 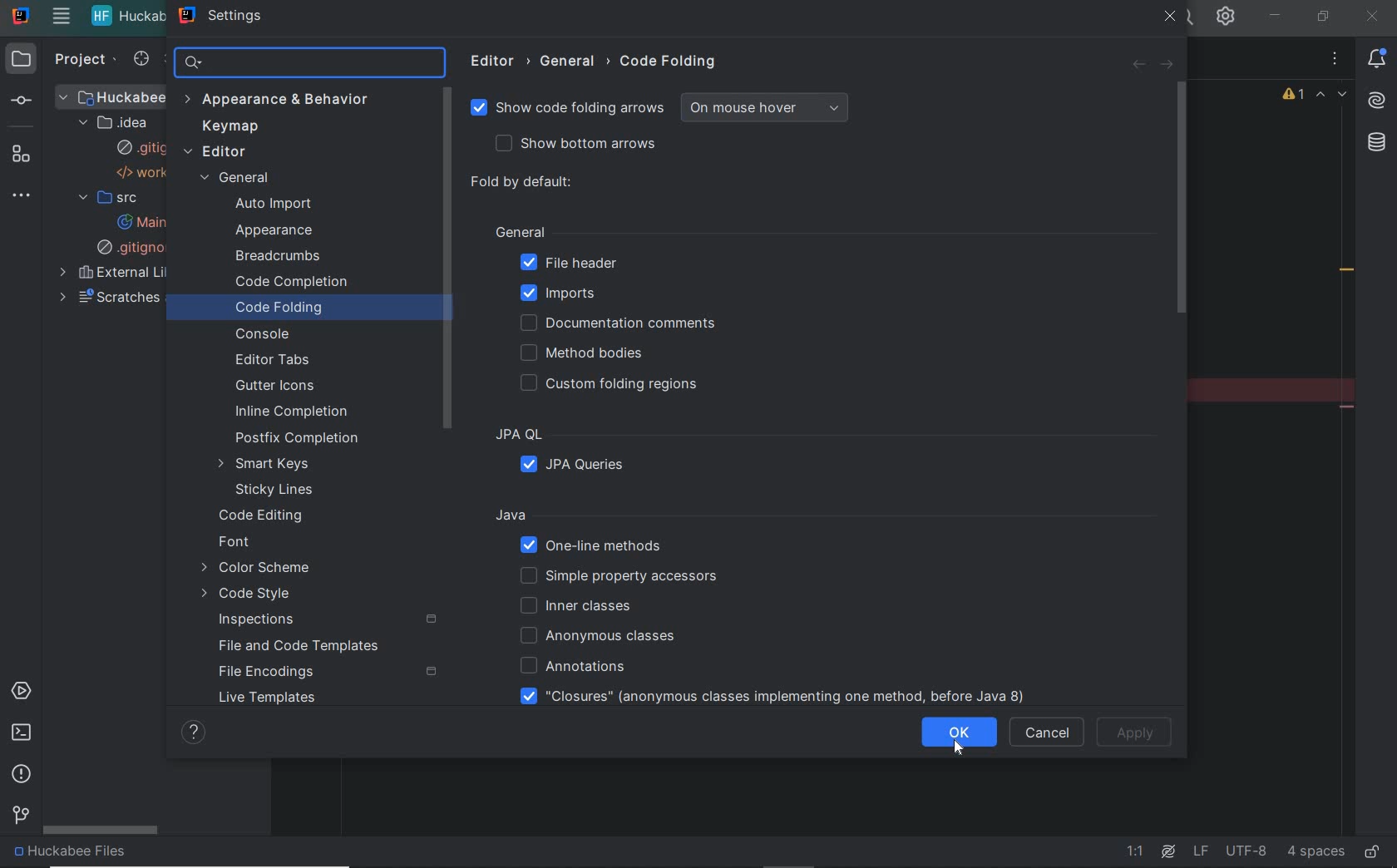 I want to click on cursor, so click(x=959, y=751).